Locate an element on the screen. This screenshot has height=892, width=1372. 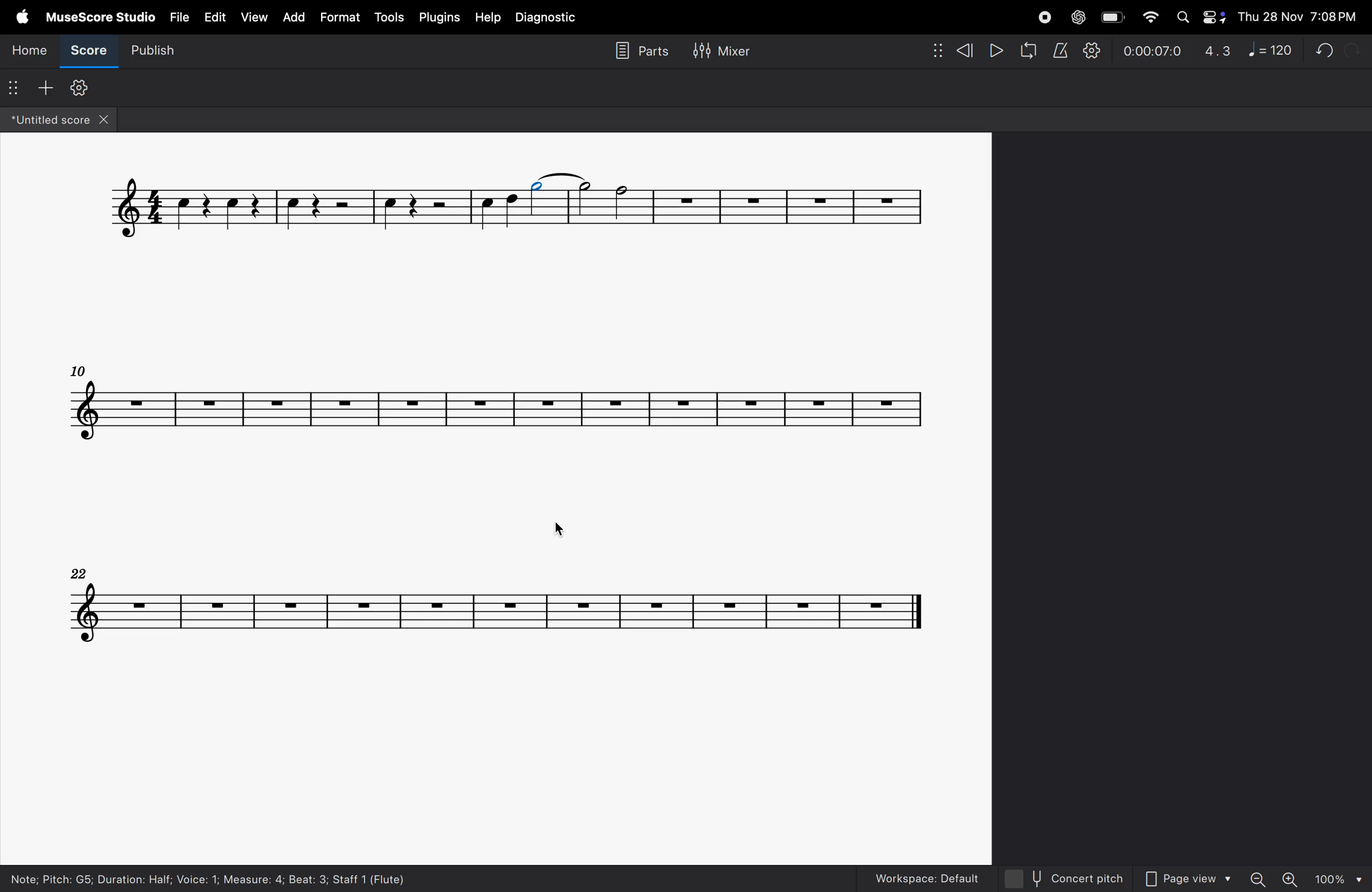
100 is located at coordinates (1334, 879).